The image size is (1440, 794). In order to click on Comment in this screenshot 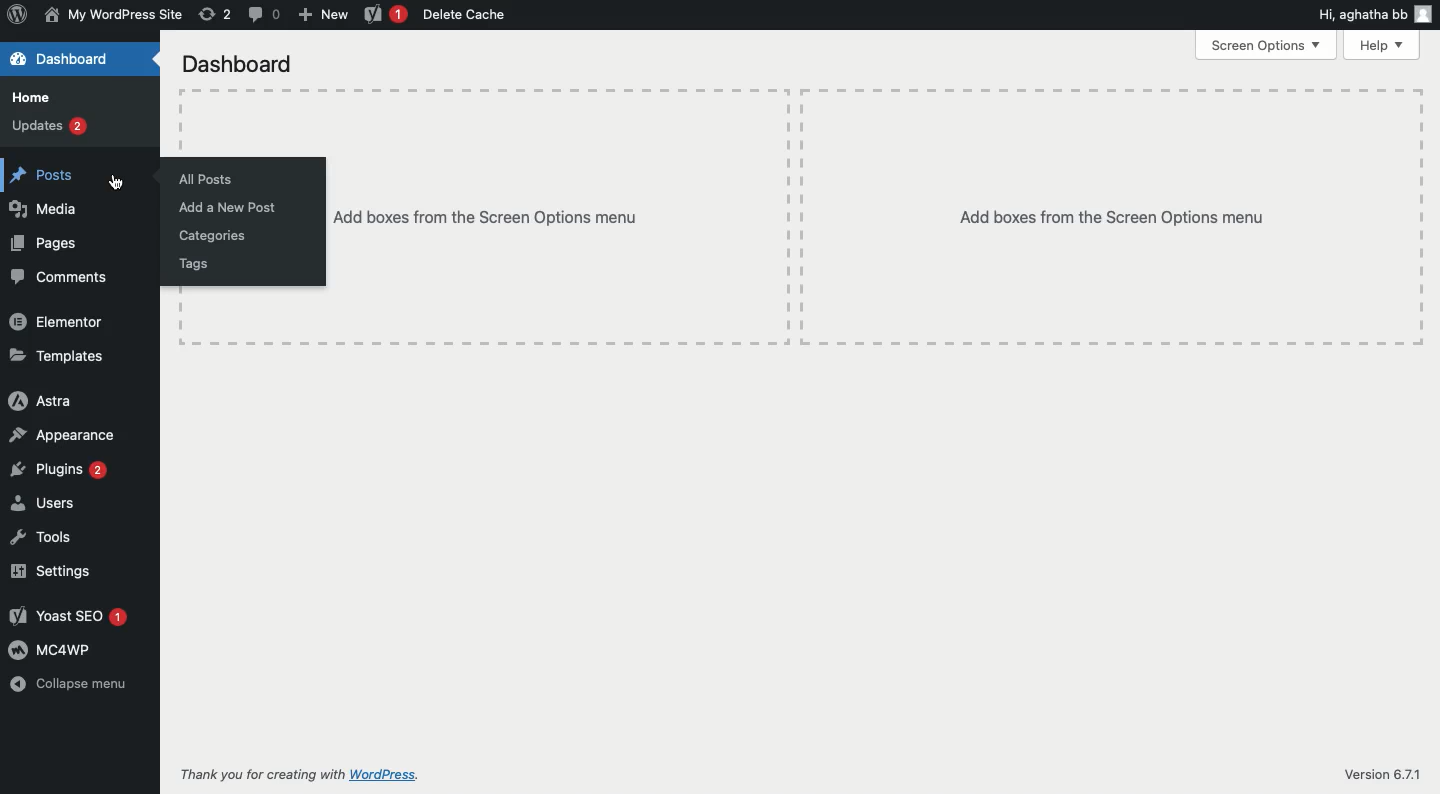, I will do `click(263, 13)`.